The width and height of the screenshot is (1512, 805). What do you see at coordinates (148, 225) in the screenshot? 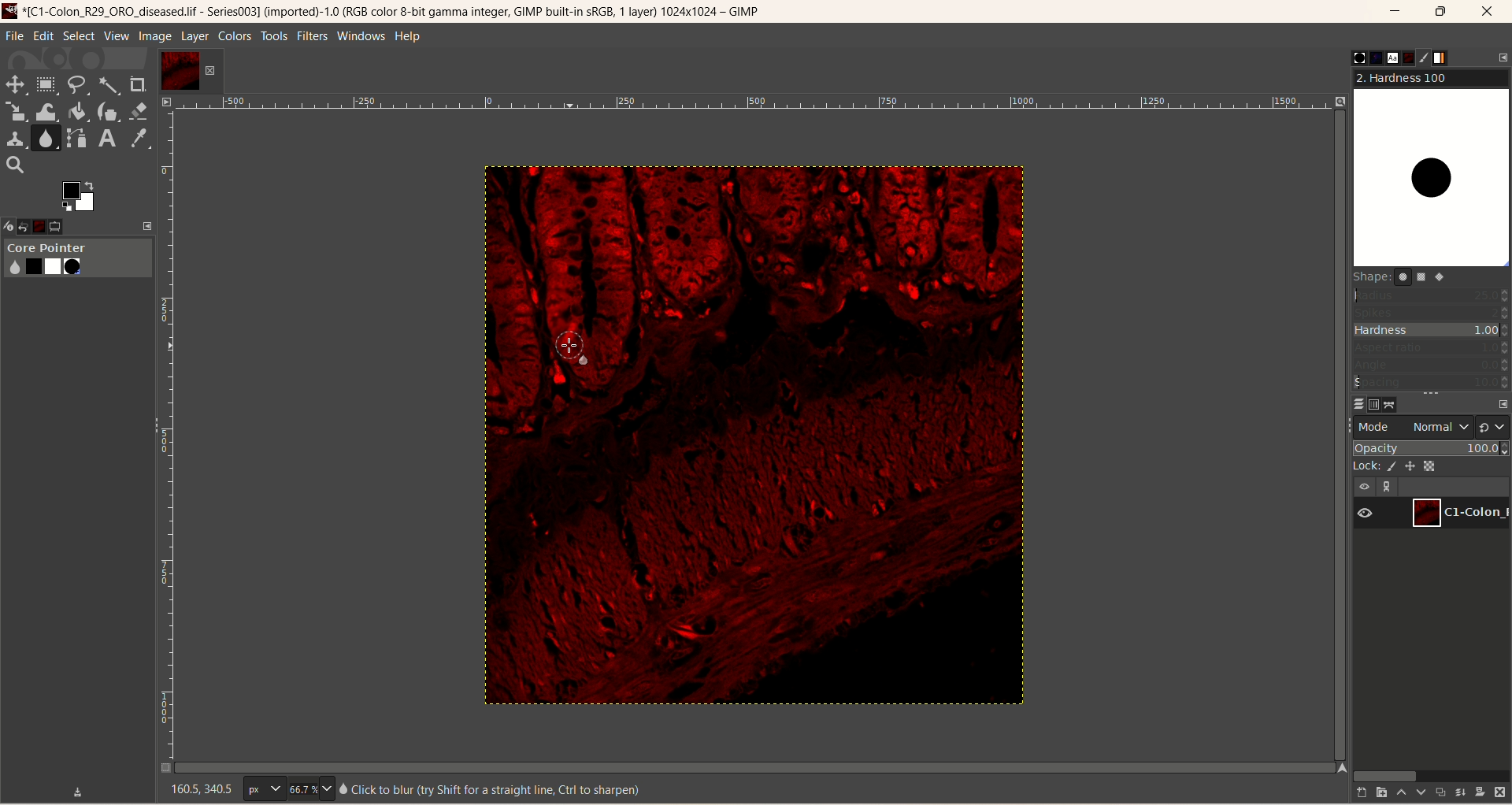
I see `expand` at bounding box center [148, 225].